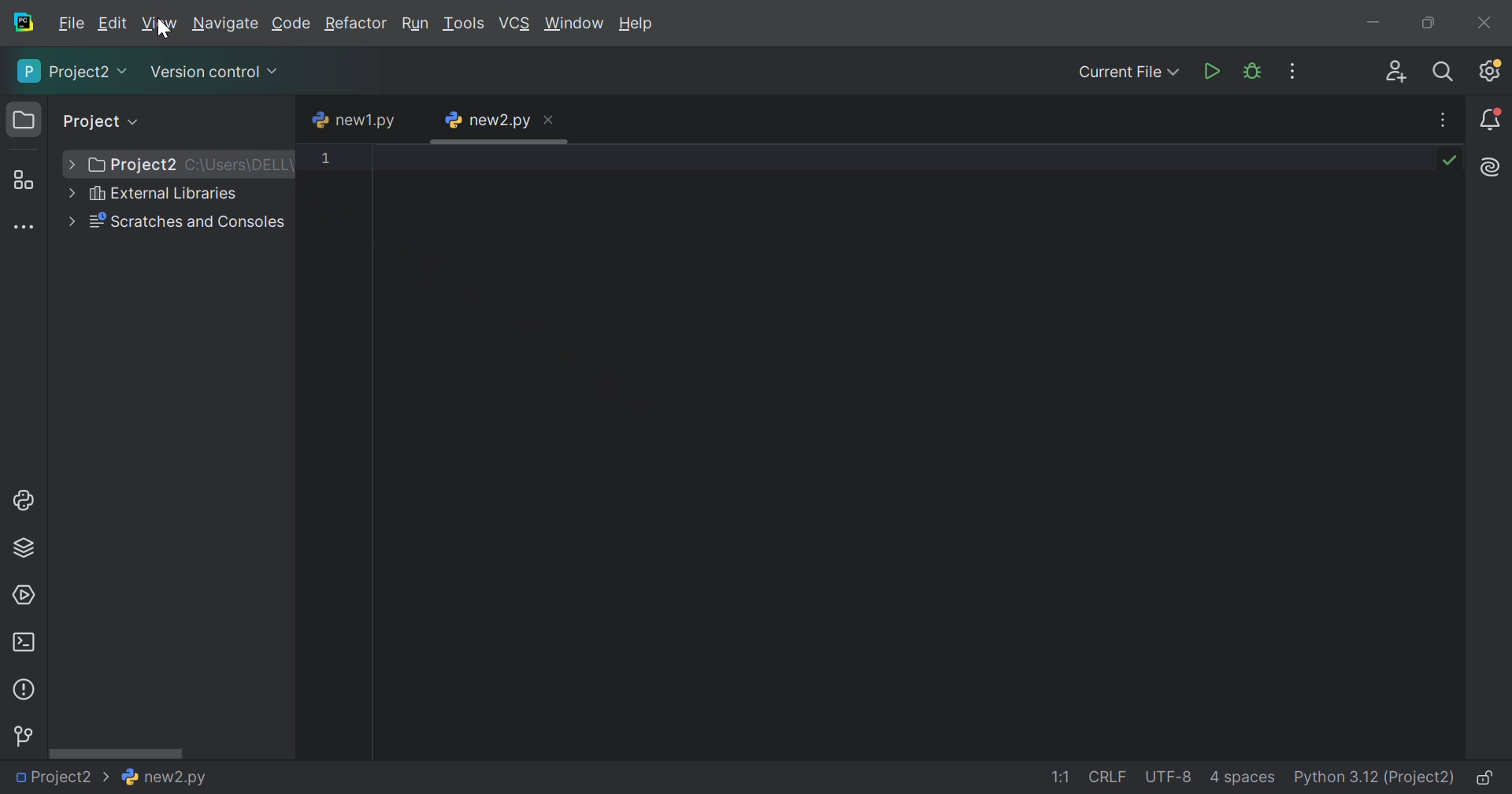  What do you see at coordinates (99, 121) in the screenshot?
I see `Project` at bounding box center [99, 121].